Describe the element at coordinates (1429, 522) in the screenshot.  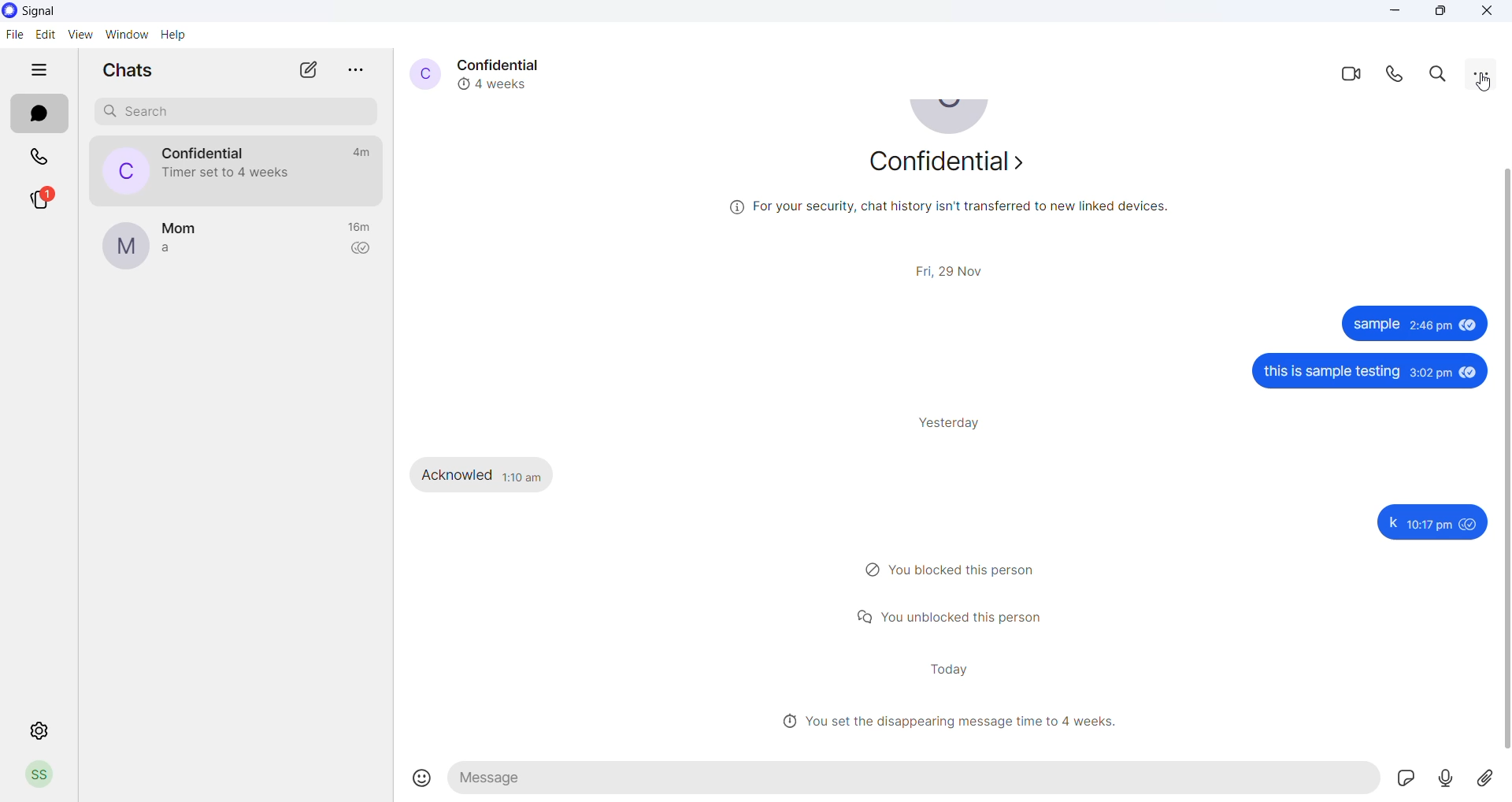
I see `` at that location.